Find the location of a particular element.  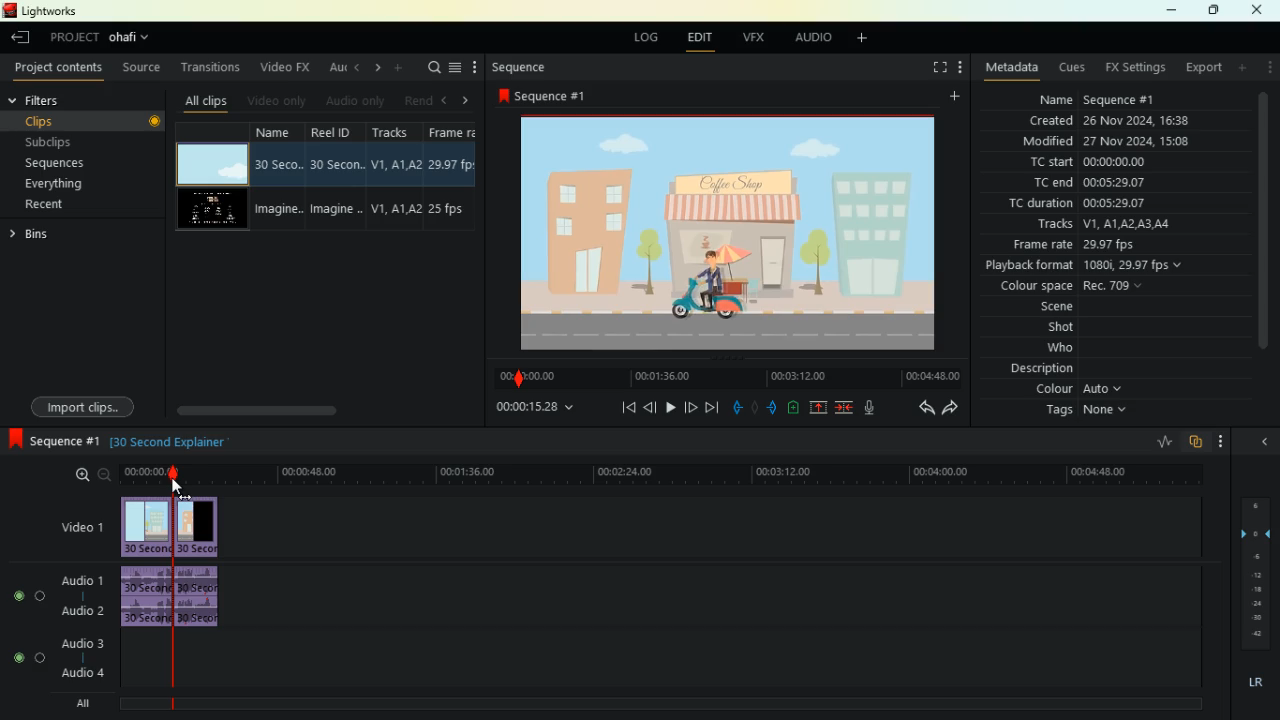

battery is located at coordinates (793, 408).